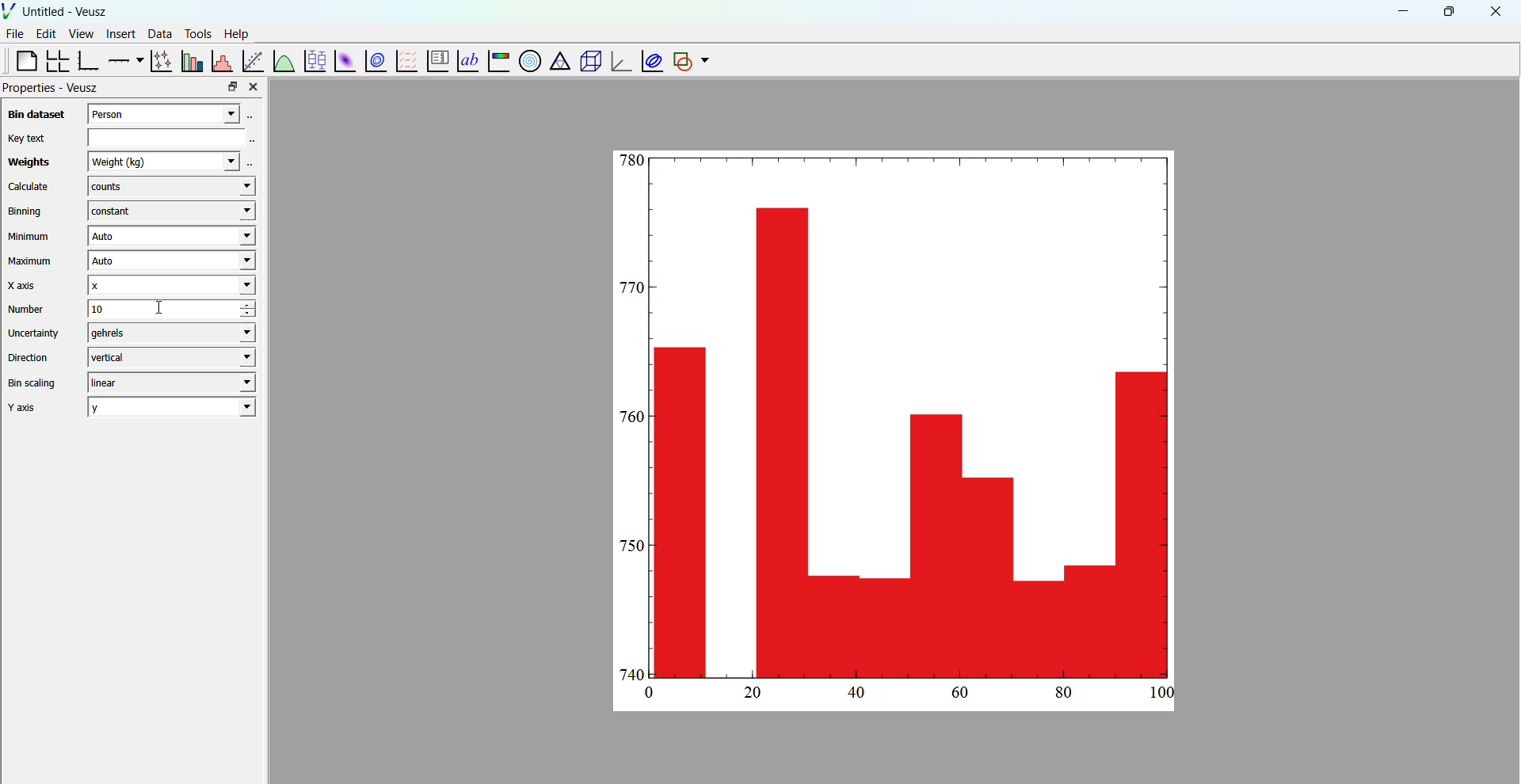  What do you see at coordinates (56, 62) in the screenshot?
I see `Arrange a graph in a grid` at bounding box center [56, 62].